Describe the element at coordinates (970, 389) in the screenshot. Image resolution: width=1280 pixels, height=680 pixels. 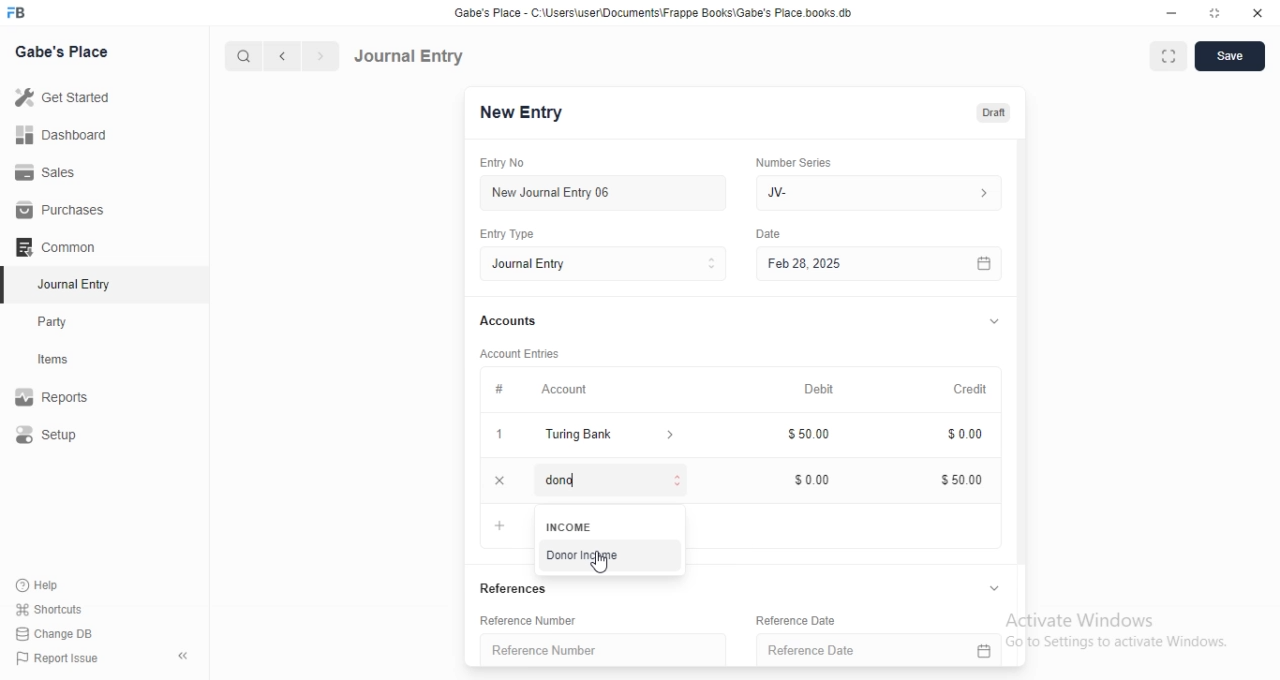
I see `Credit` at that location.